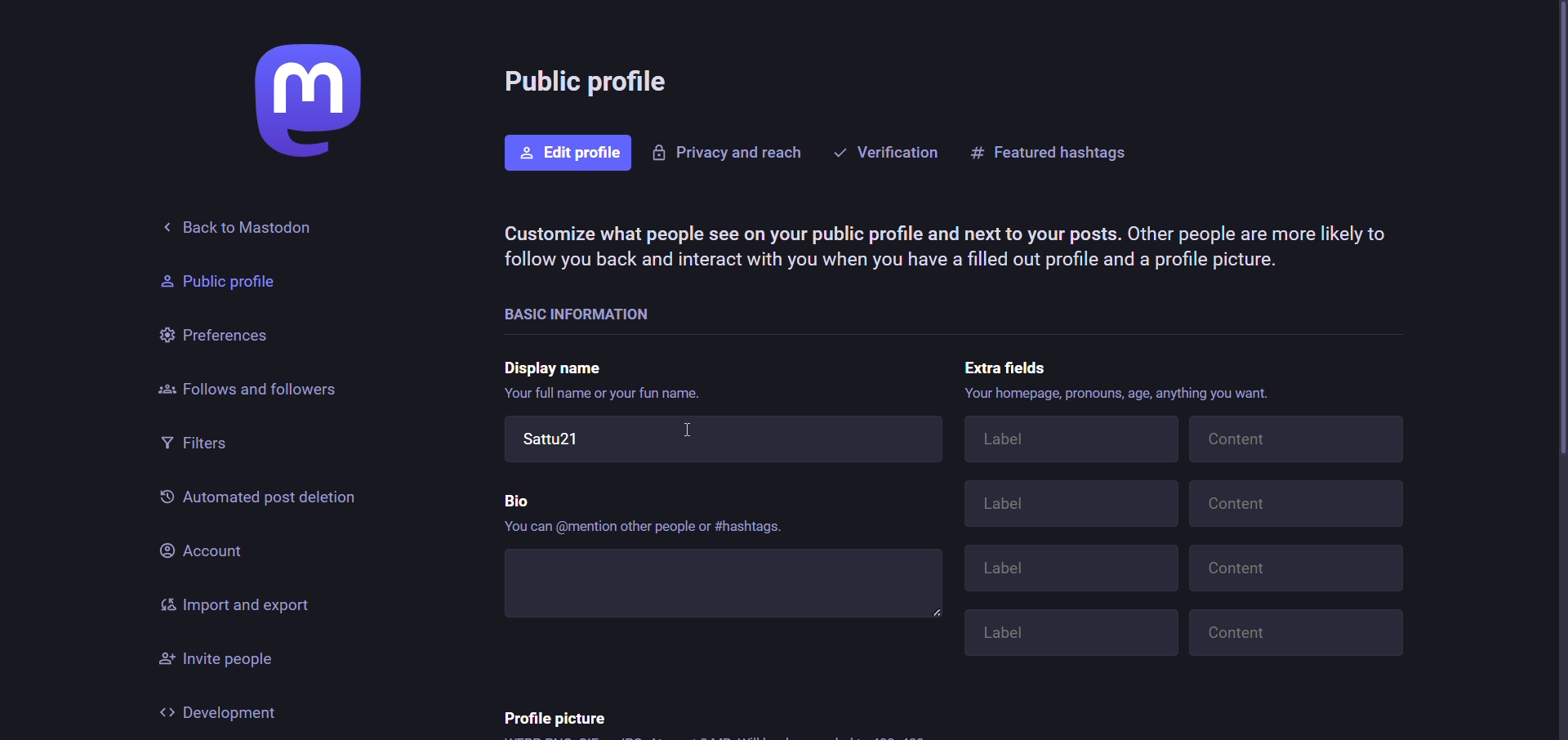  I want to click on cursor, so click(688, 432).